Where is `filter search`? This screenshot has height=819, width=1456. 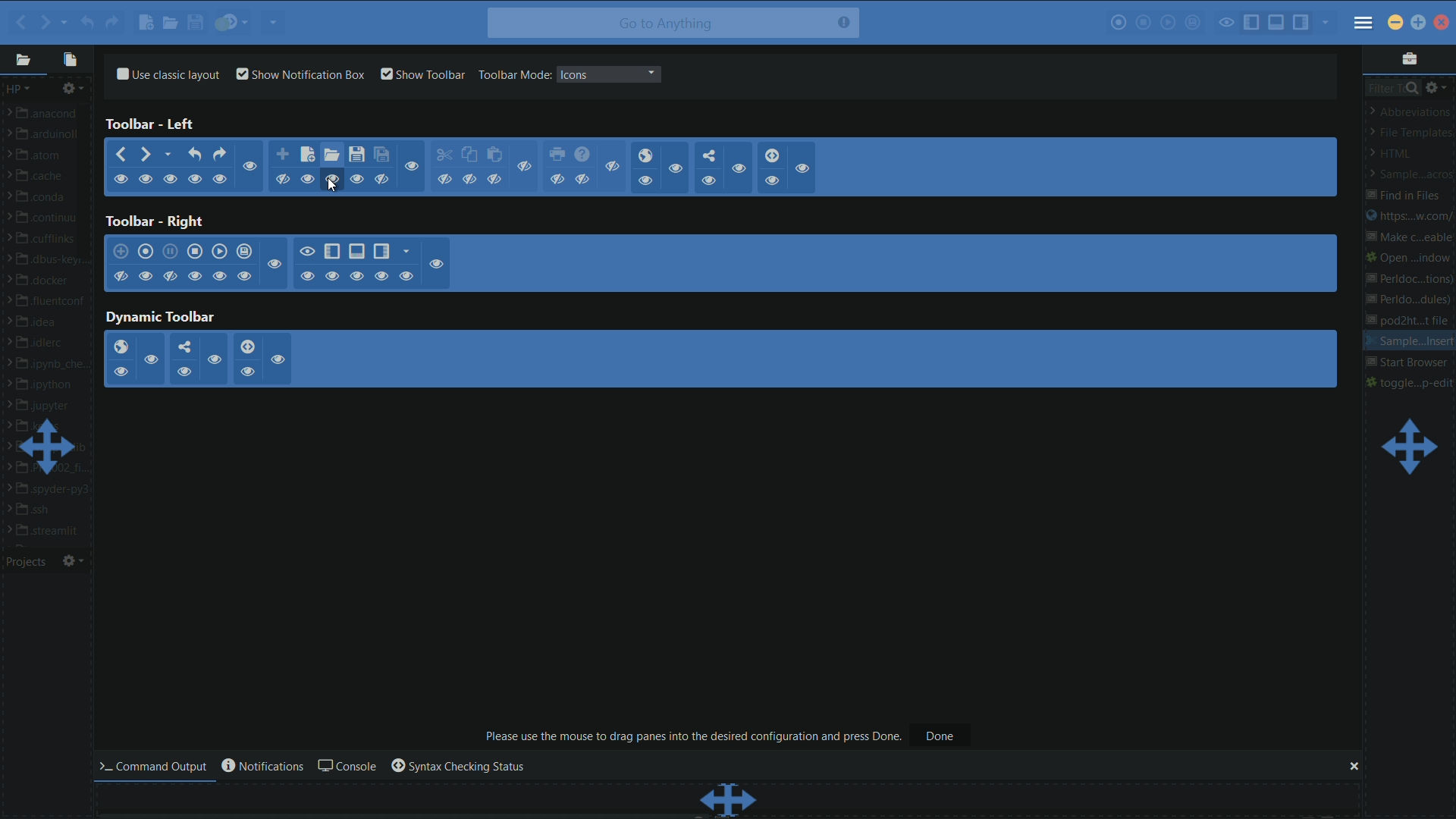 filter search is located at coordinates (1392, 86).